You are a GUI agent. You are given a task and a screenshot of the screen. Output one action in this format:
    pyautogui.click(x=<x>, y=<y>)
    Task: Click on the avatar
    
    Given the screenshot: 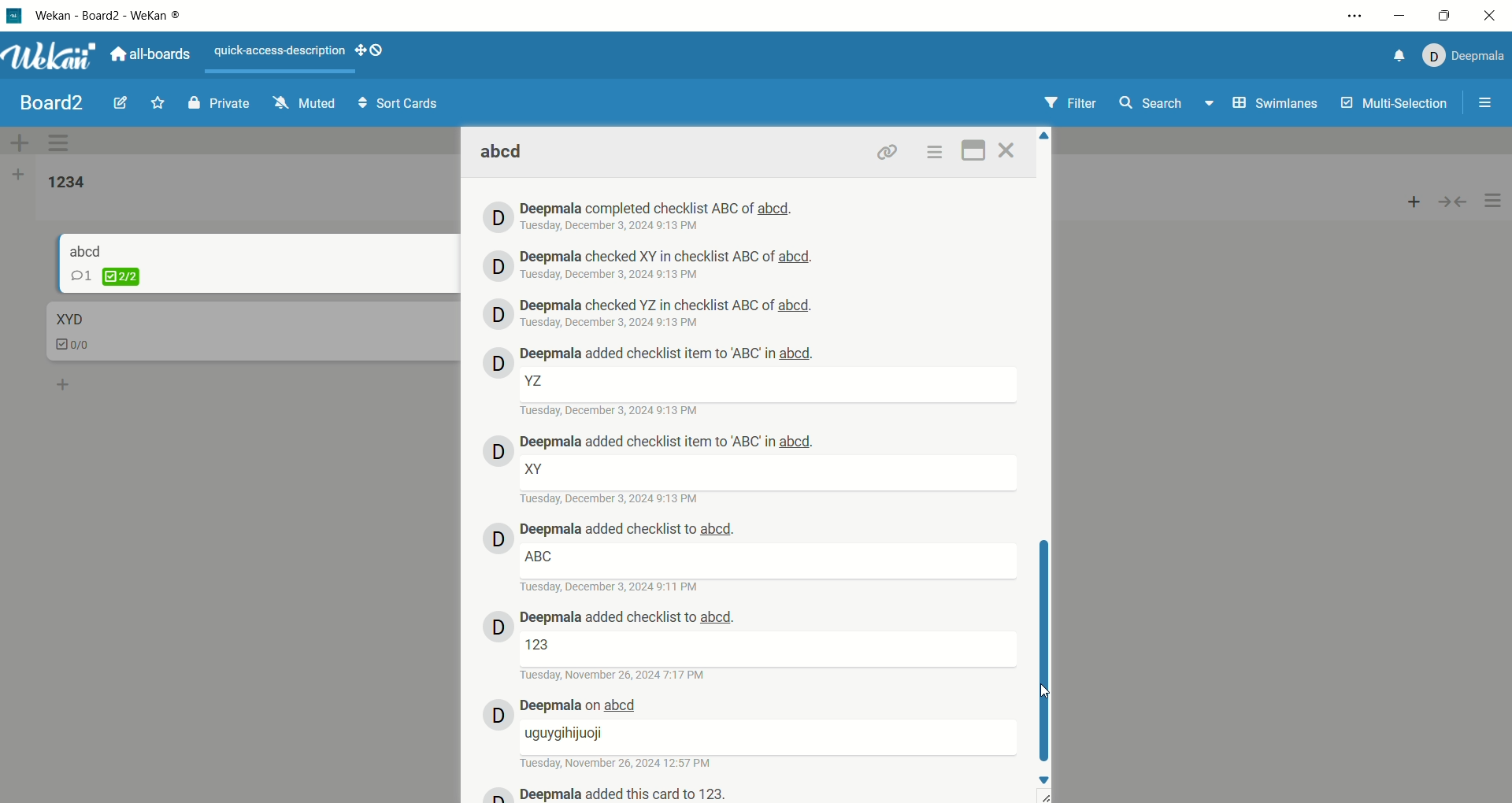 What is the action you would take?
    pyautogui.click(x=495, y=361)
    